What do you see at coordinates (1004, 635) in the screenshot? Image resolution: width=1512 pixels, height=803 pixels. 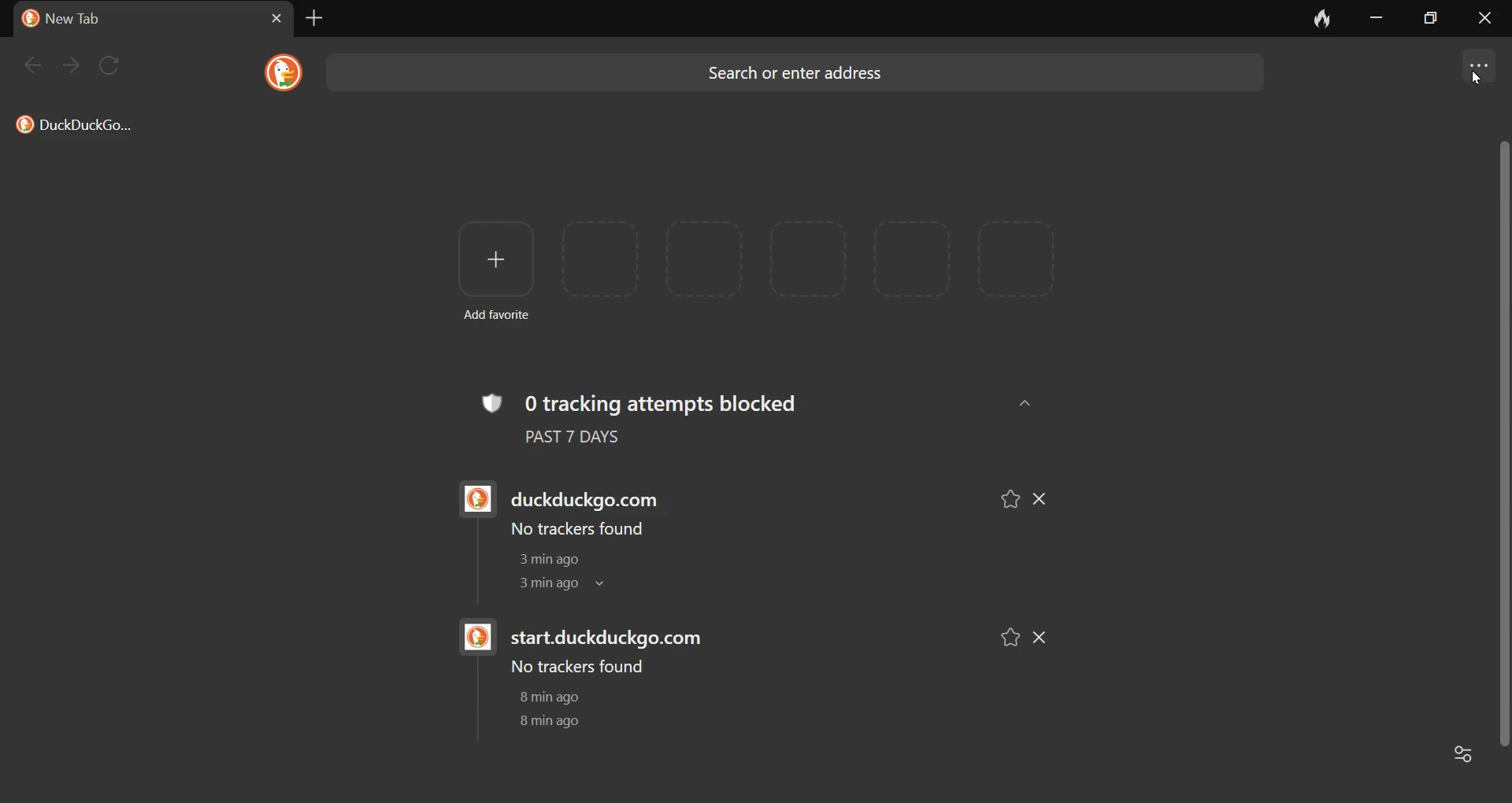 I see `favorites` at bounding box center [1004, 635].